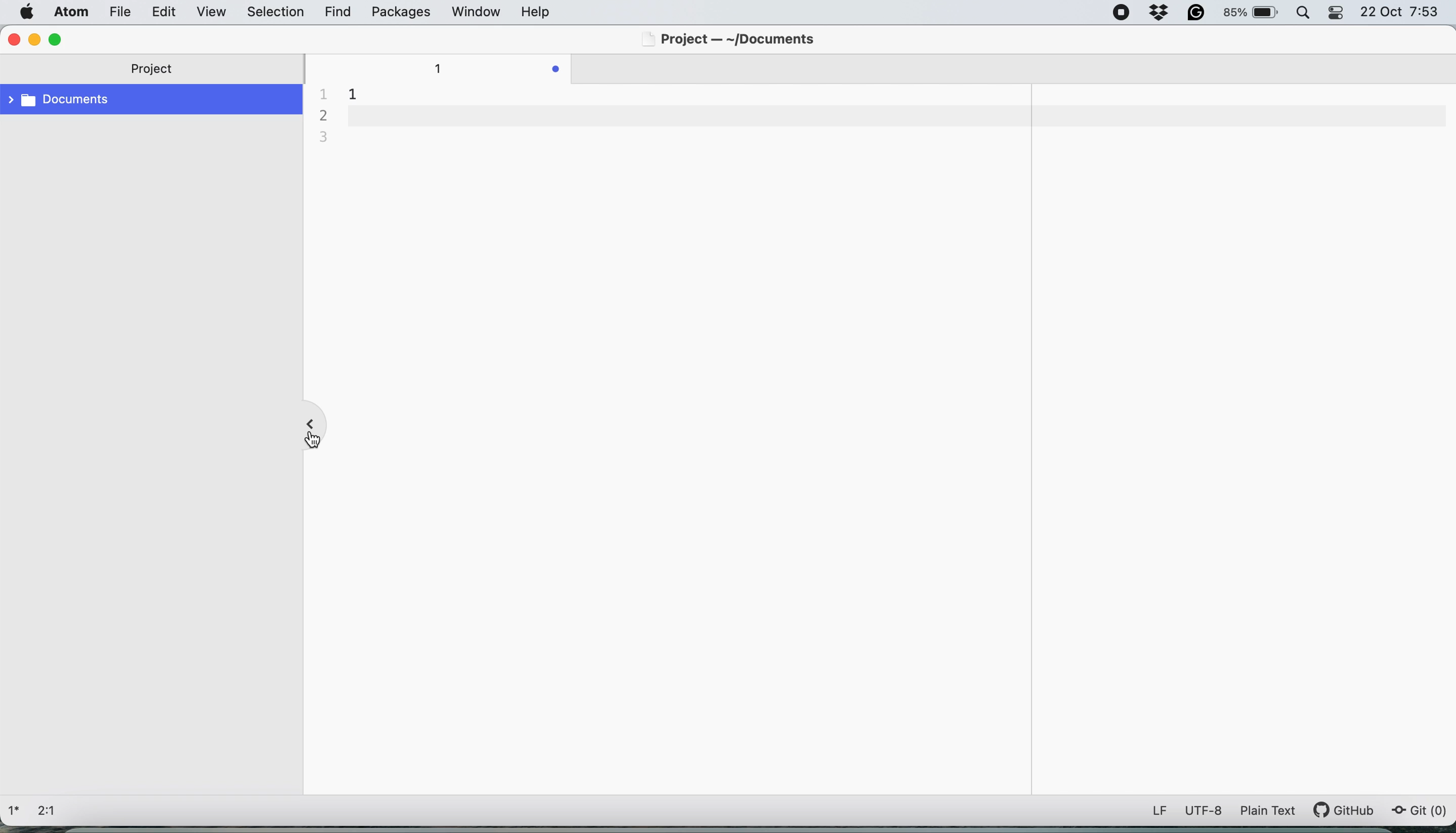 This screenshot has width=1456, height=833. What do you see at coordinates (1340, 13) in the screenshot?
I see `spotlight search` at bounding box center [1340, 13].